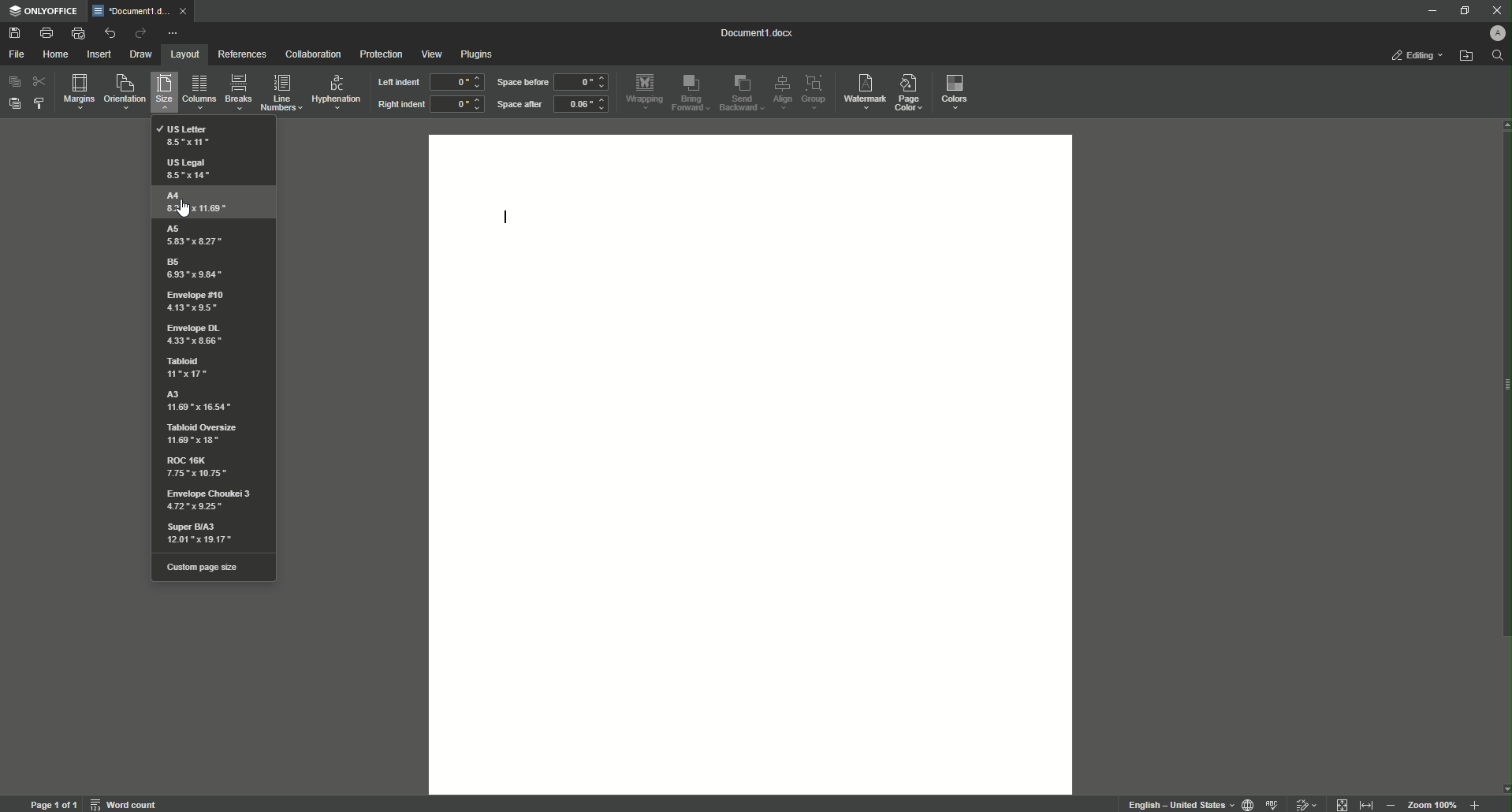  What do you see at coordinates (193, 135) in the screenshot?
I see `US Letter` at bounding box center [193, 135].